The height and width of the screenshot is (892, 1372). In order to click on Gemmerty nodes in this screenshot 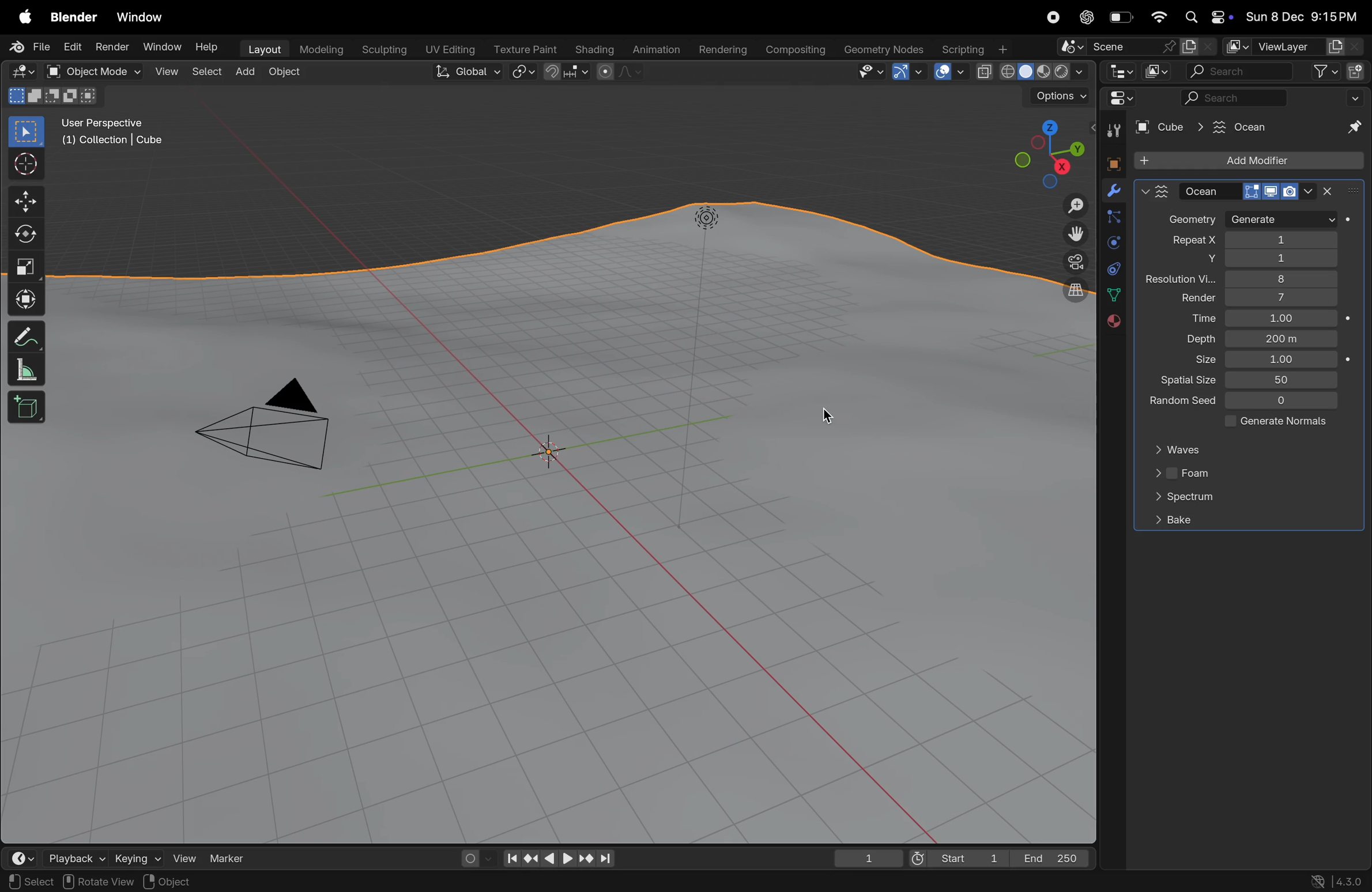, I will do `click(883, 50)`.